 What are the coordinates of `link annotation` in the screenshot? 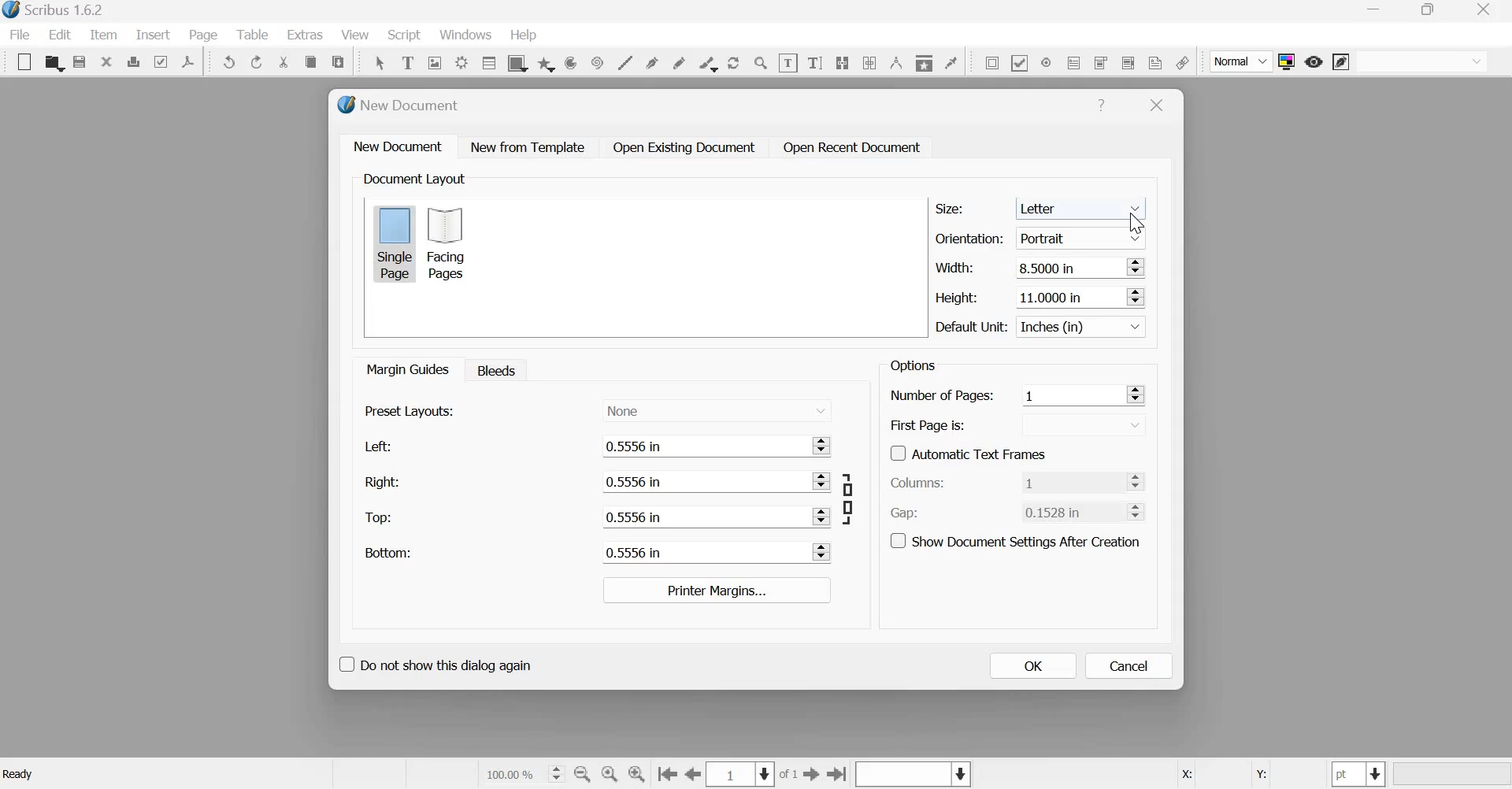 It's located at (1182, 62).